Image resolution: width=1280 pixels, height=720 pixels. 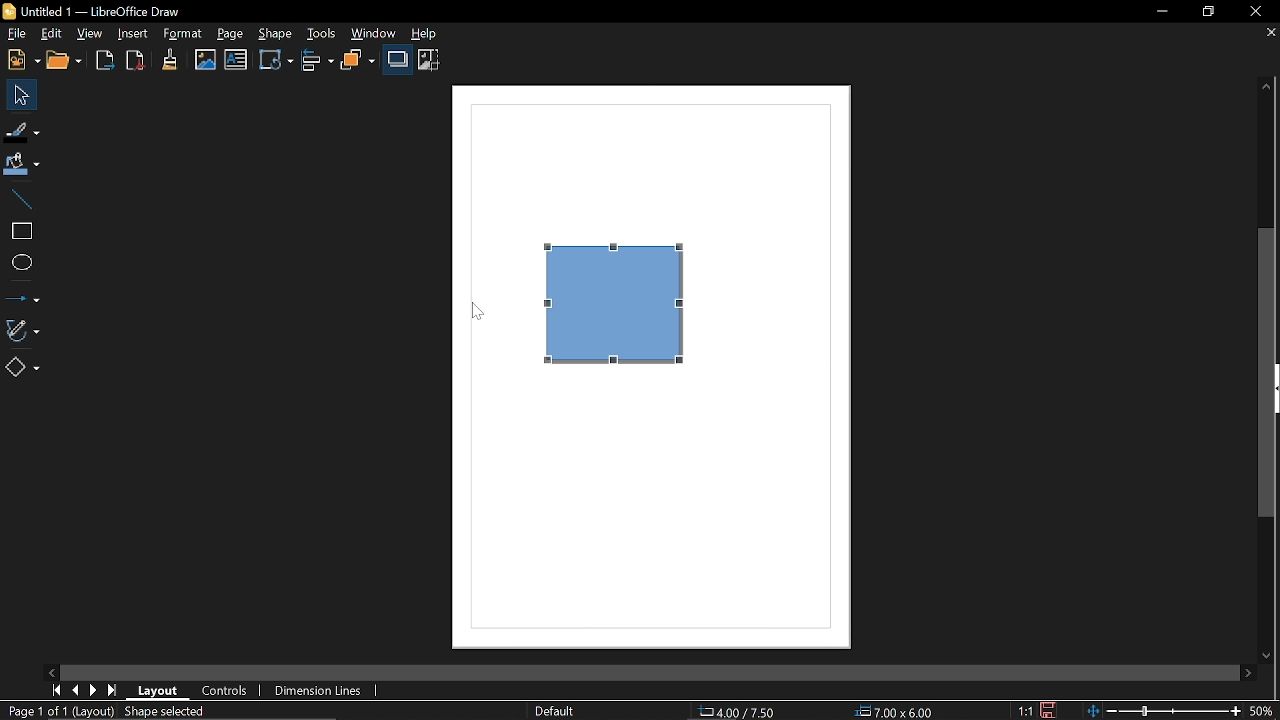 What do you see at coordinates (24, 298) in the screenshot?
I see `Lines and arrows` at bounding box center [24, 298].